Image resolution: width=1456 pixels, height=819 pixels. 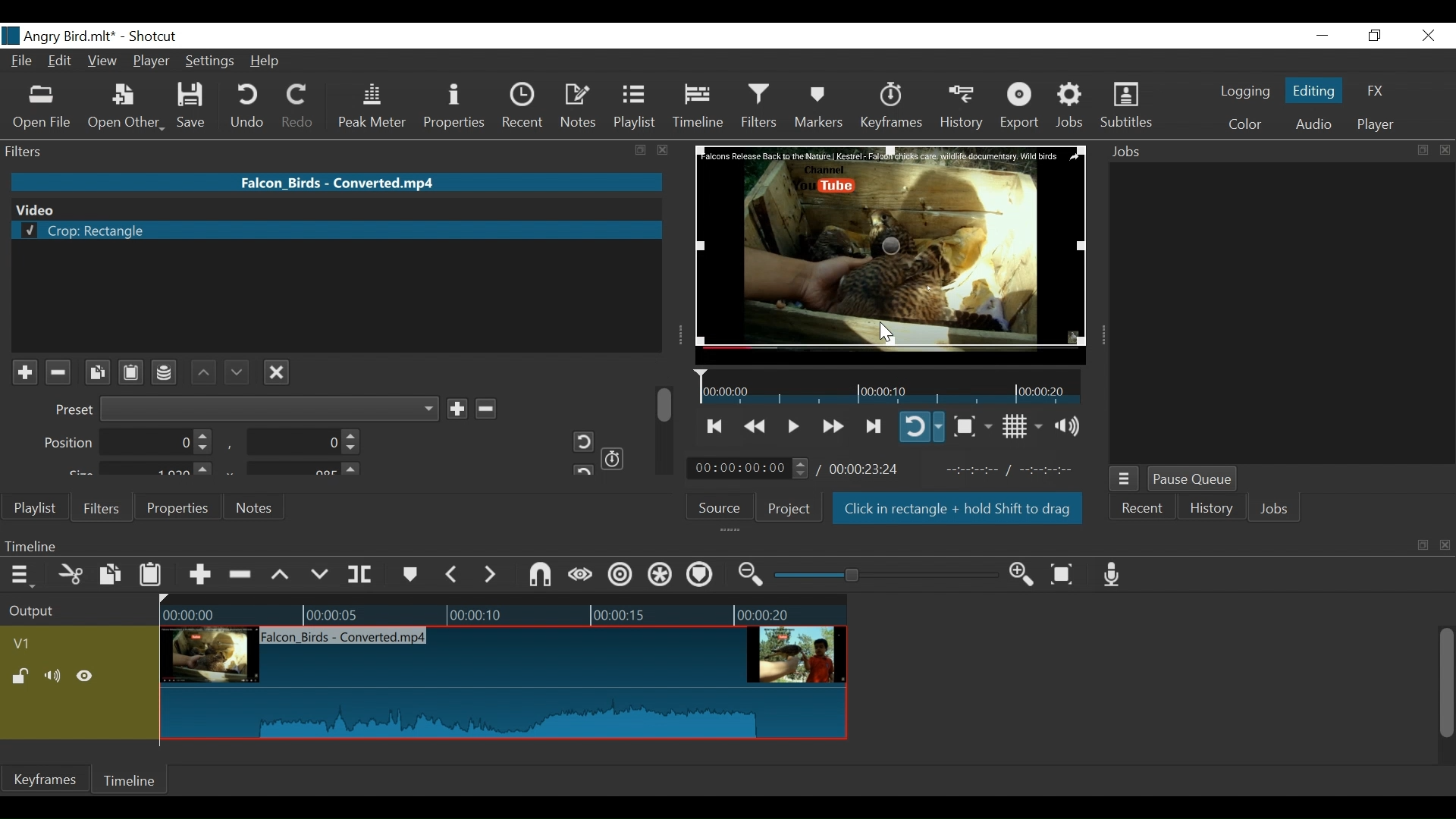 What do you see at coordinates (699, 576) in the screenshot?
I see `Ripple all tracks` at bounding box center [699, 576].